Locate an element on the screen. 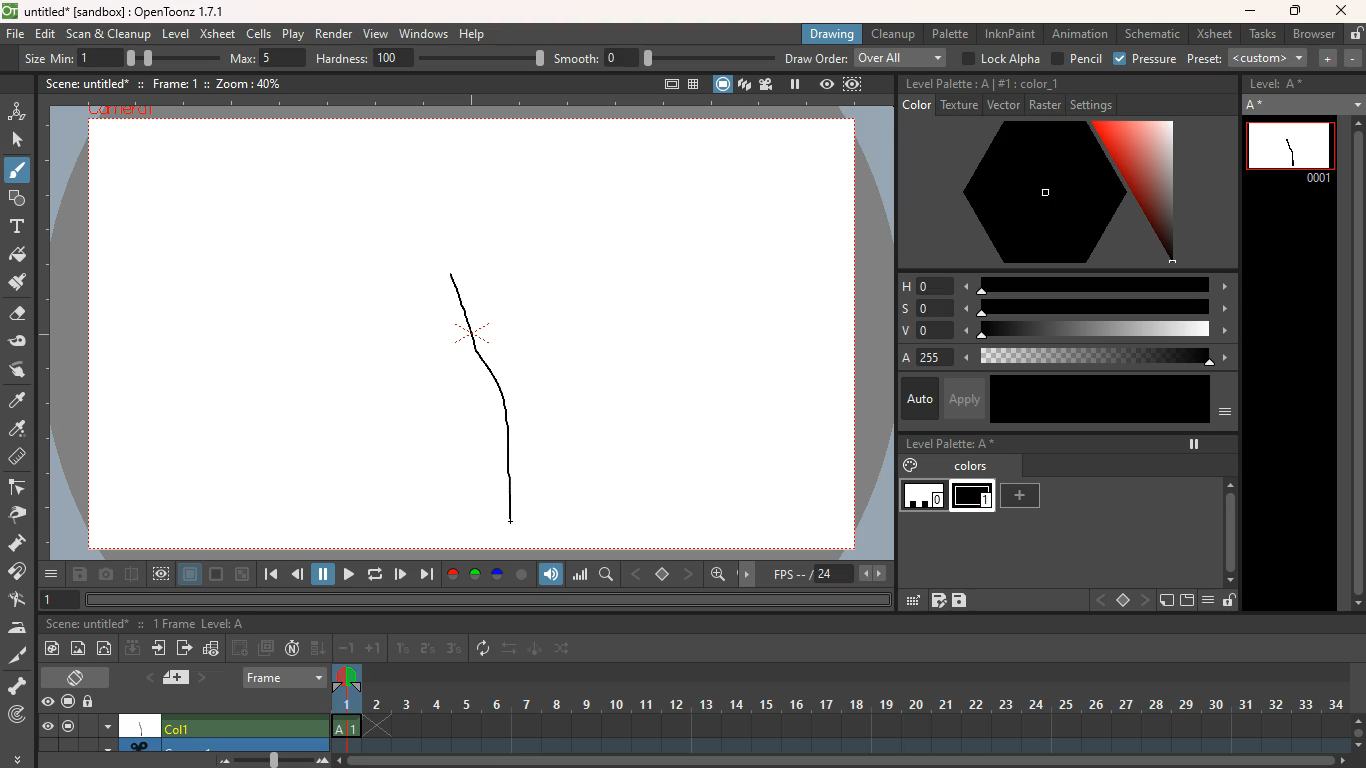 The image size is (1366, 768). edge is located at coordinates (20, 489).